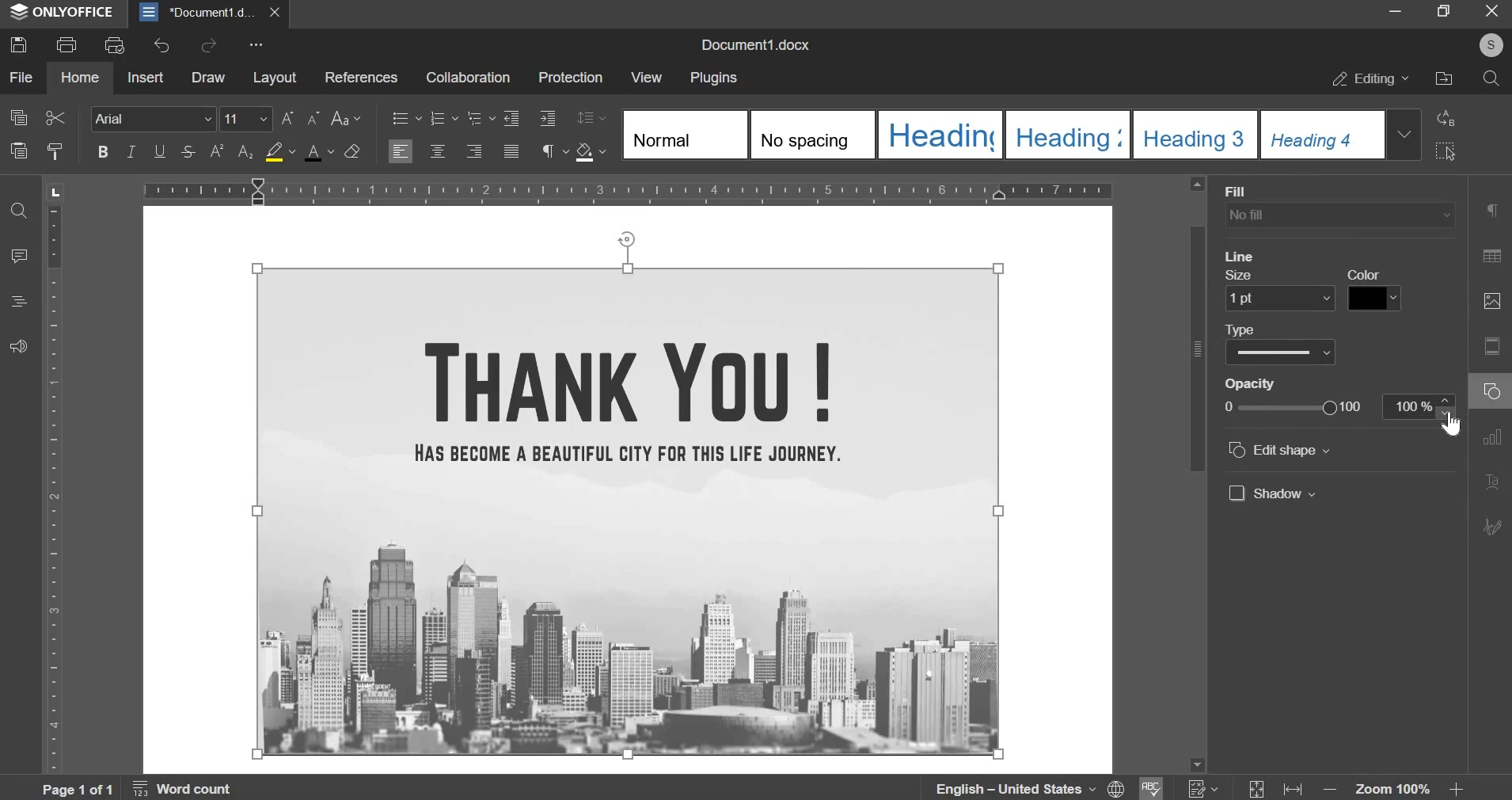  What do you see at coordinates (1282, 292) in the screenshot?
I see `size` at bounding box center [1282, 292].